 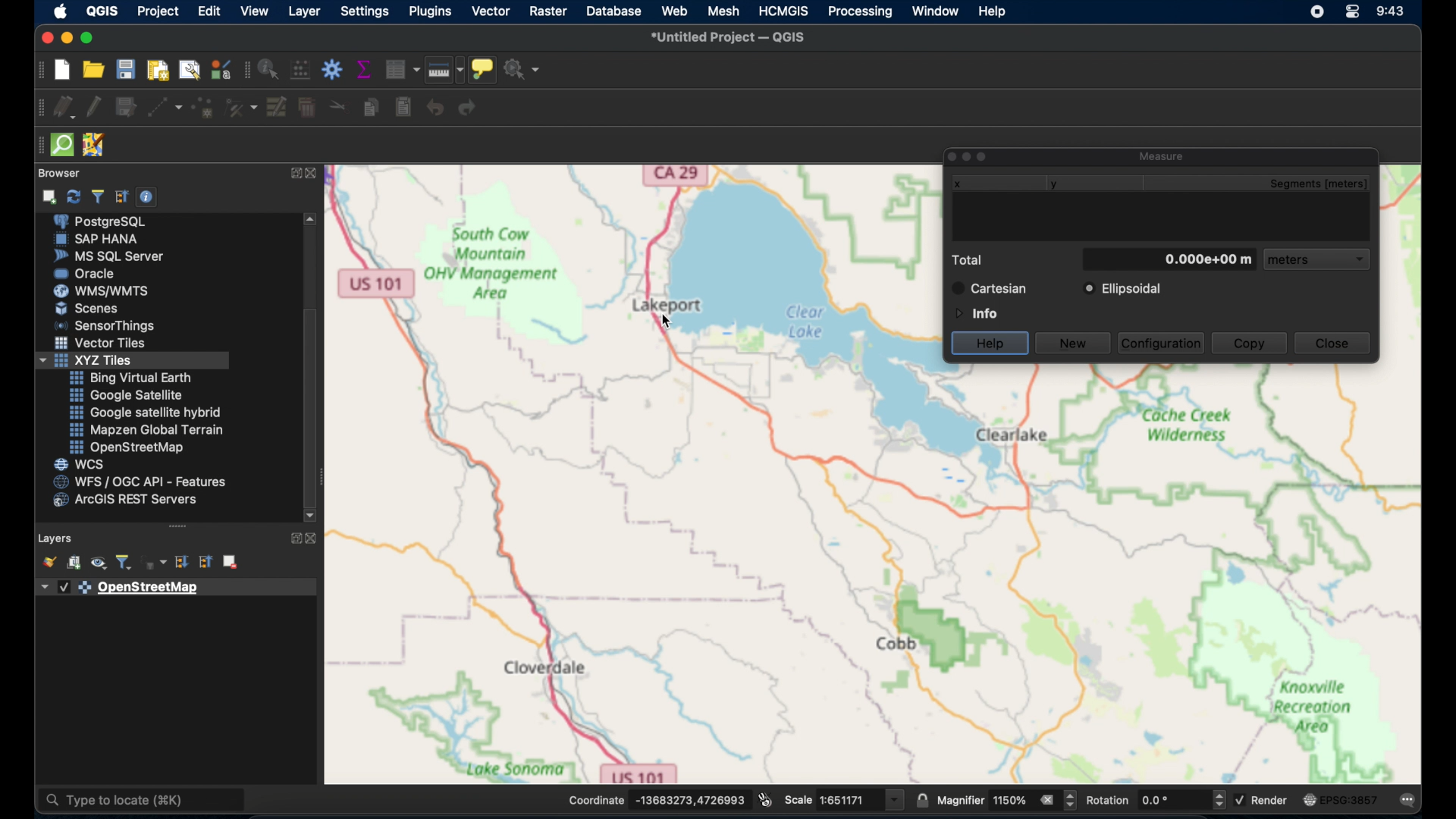 I want to click on configuration, so click(x=1163, y=342).